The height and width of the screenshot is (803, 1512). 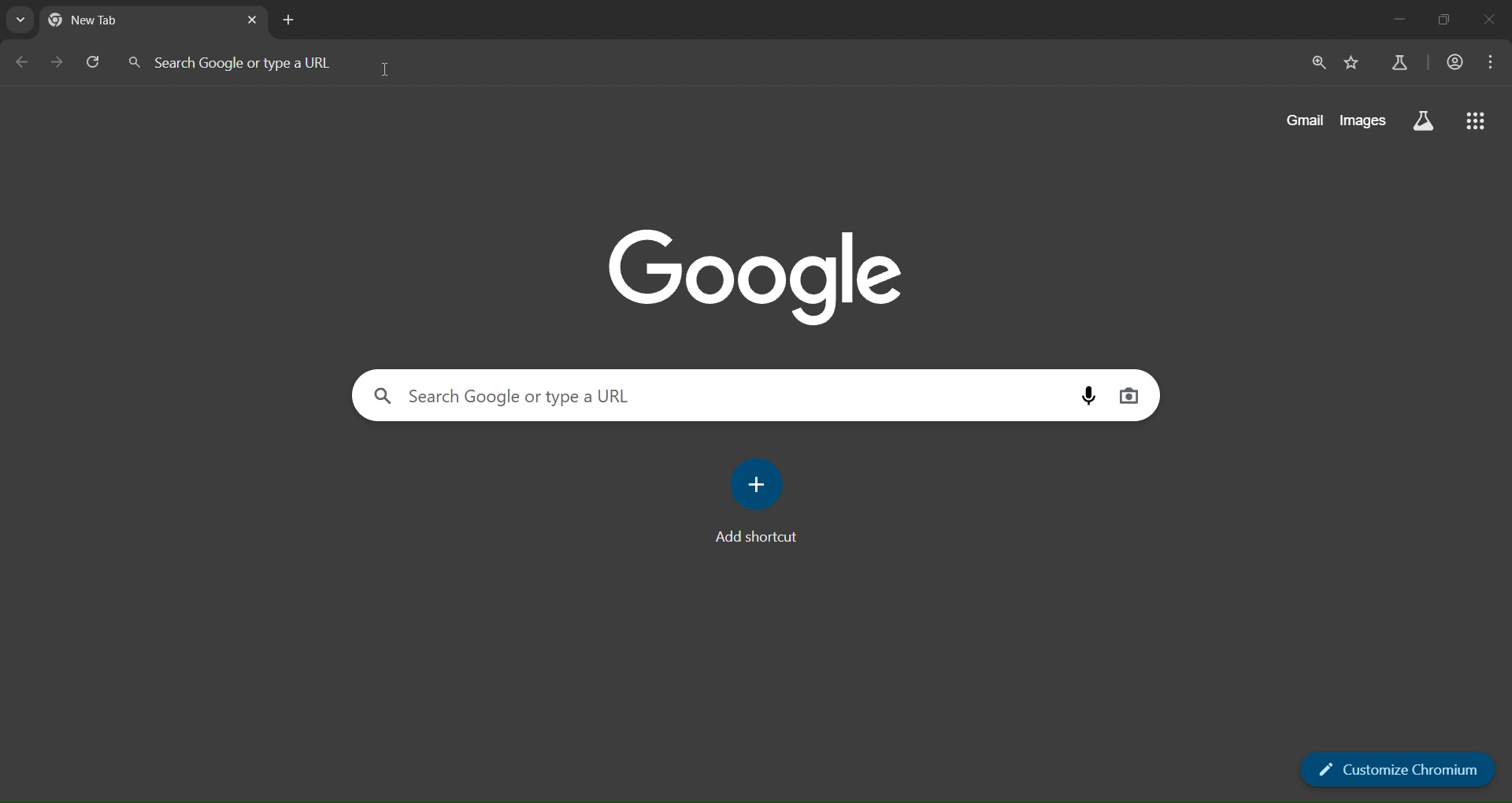 I want to click on next page, so click(x=59, y=64).